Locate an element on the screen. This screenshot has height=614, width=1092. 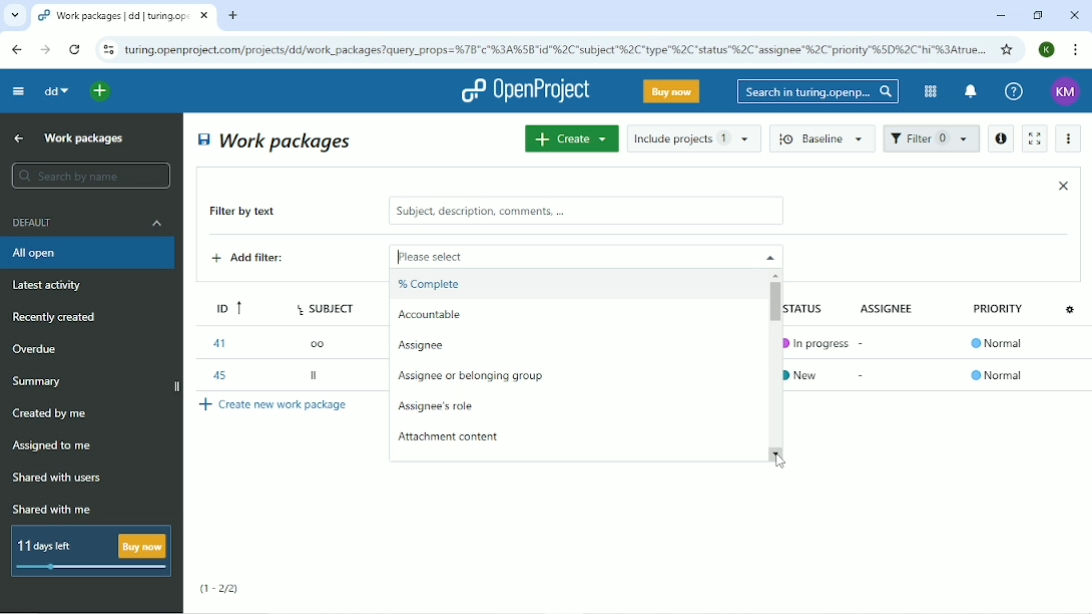
41 is located at coordinates (218, 343).